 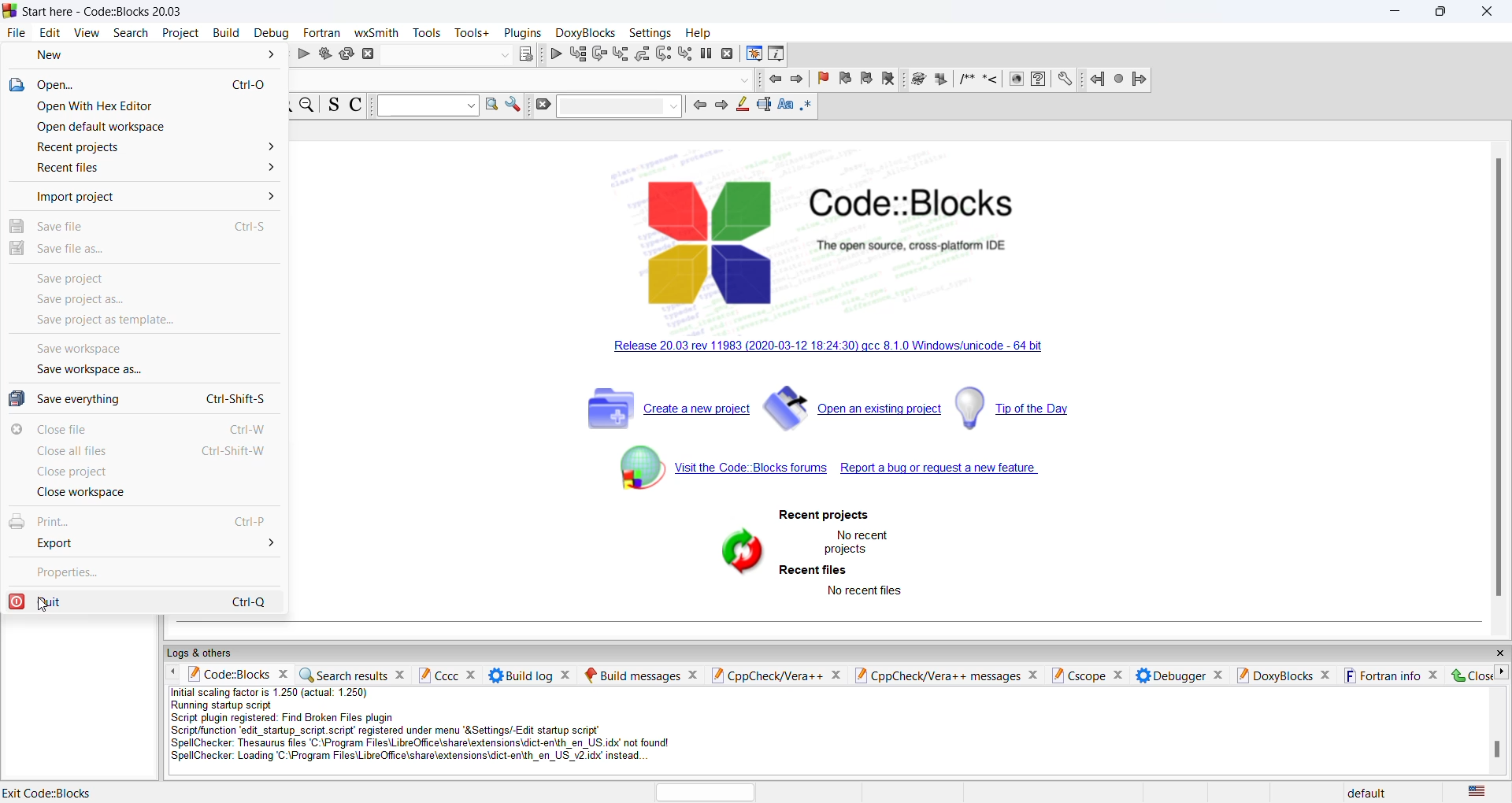 I want to click on next instruction, so click(x=664, y=54).